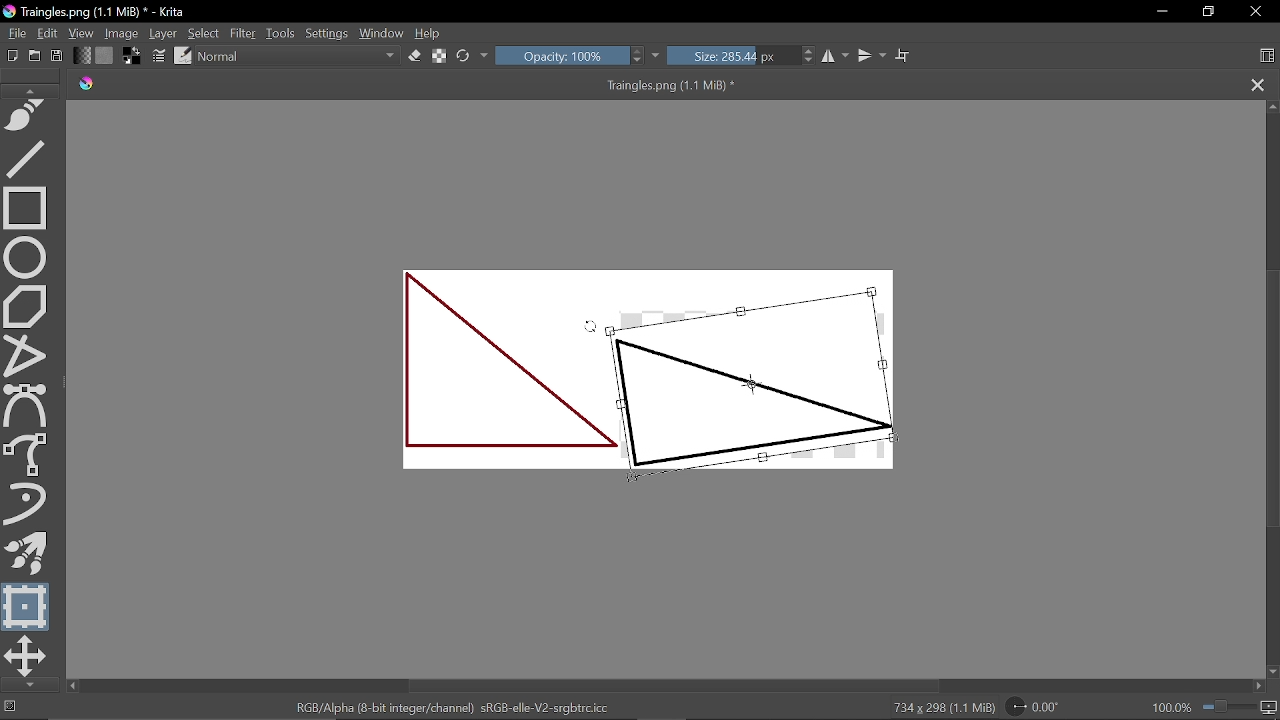 This screenshot has height=720, width=1280. Describe the element at coordinates (34, 55) in the screenshot. I see `Open document` at that location.